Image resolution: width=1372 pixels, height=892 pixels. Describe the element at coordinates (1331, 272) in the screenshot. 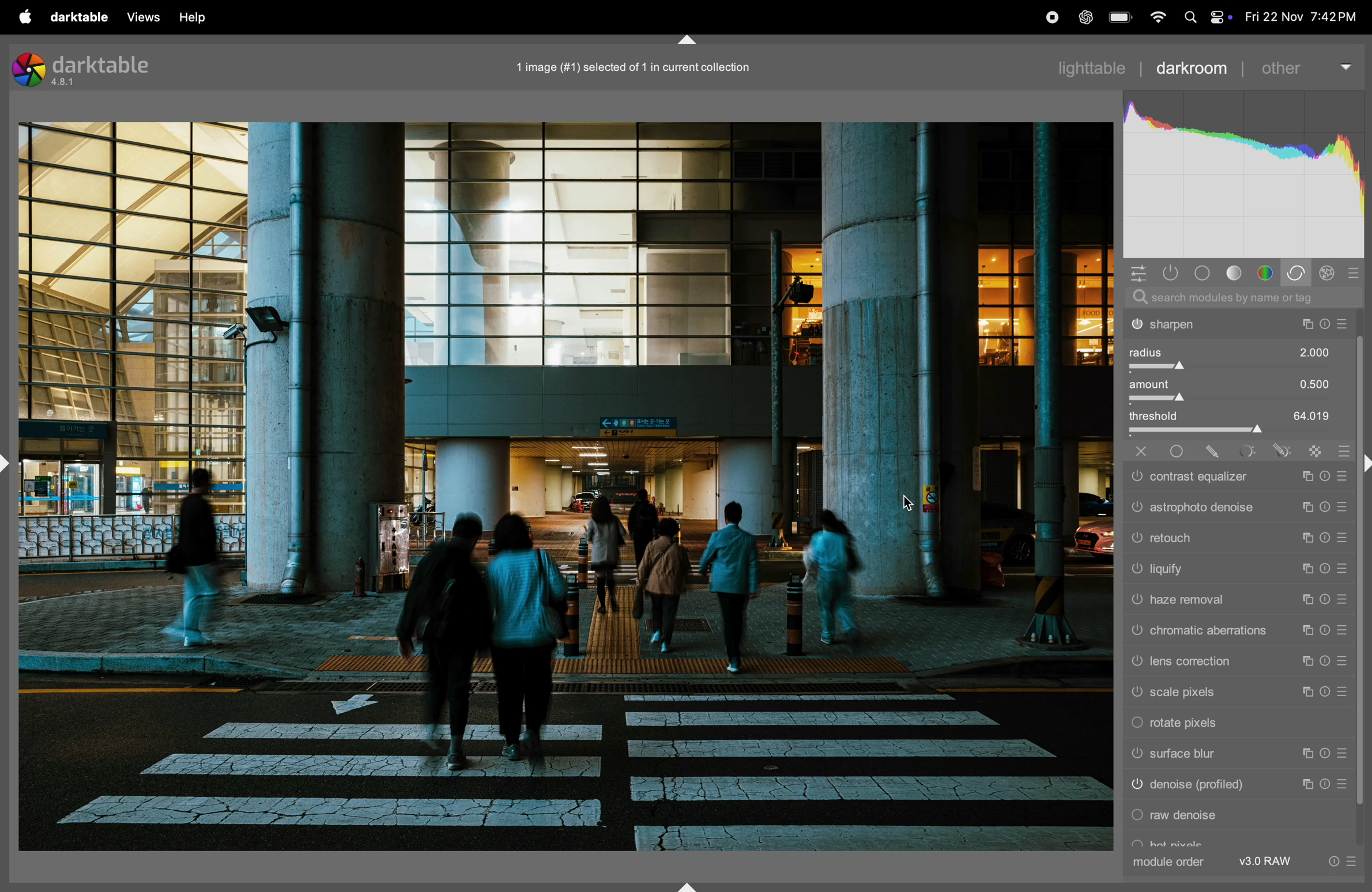

I see `effect` at that location.